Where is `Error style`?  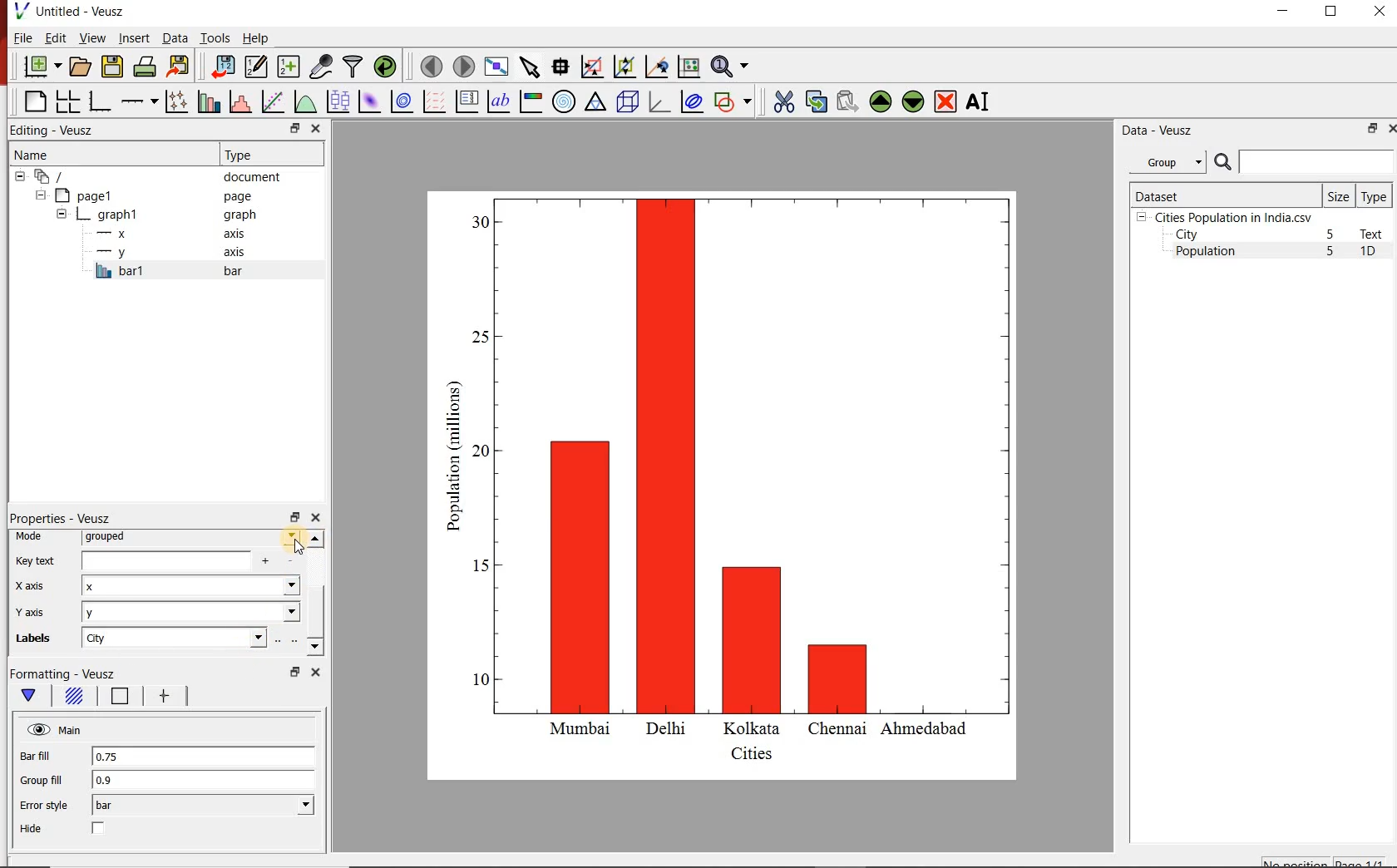
Error style is located at coordinates (43, 806).